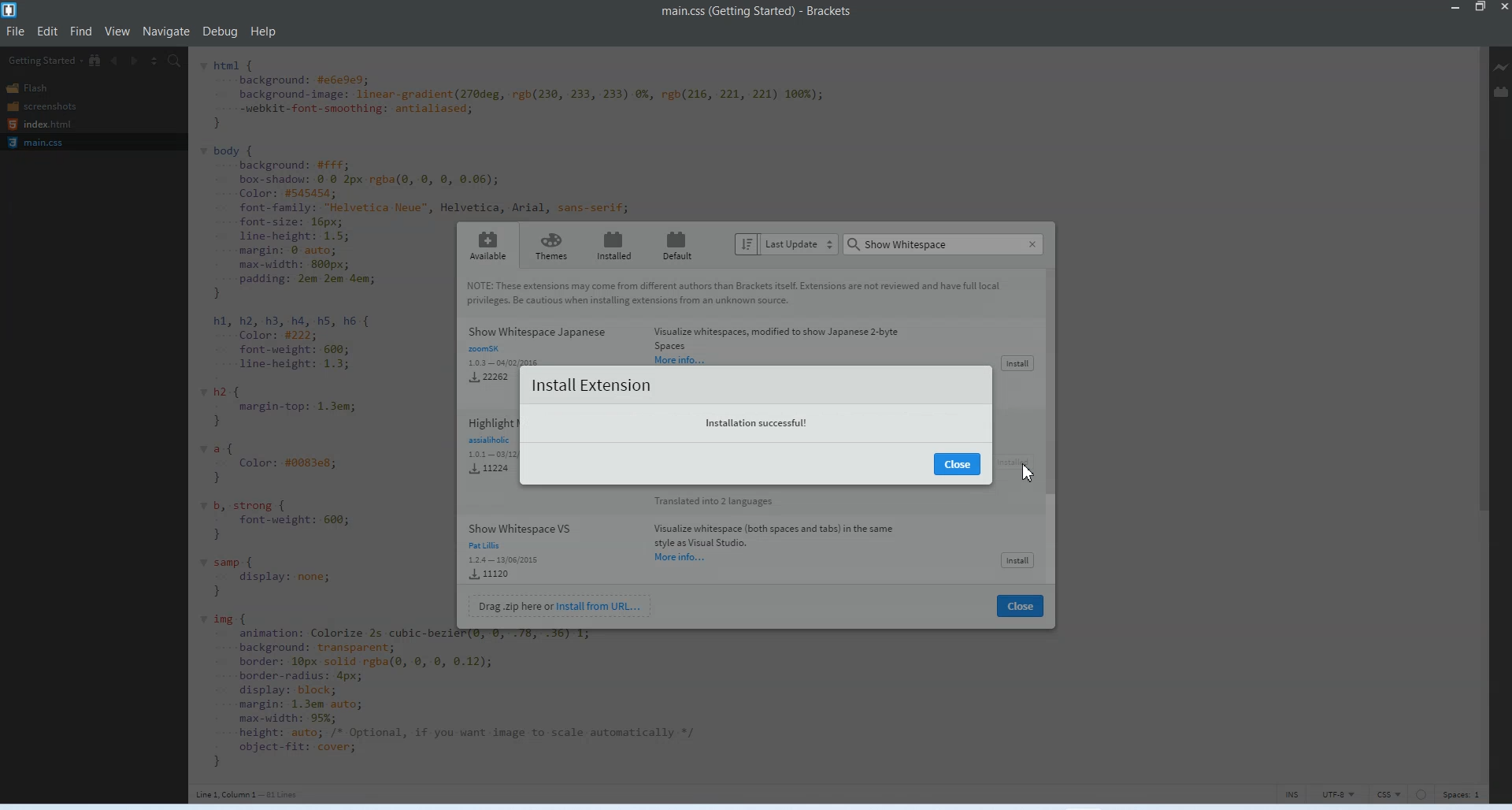 Image resolution: width=1512 pixels, height=810 pixels. Describe the element at coordinates (1390, 793) in the screenshot. I see `CSS` at that location.